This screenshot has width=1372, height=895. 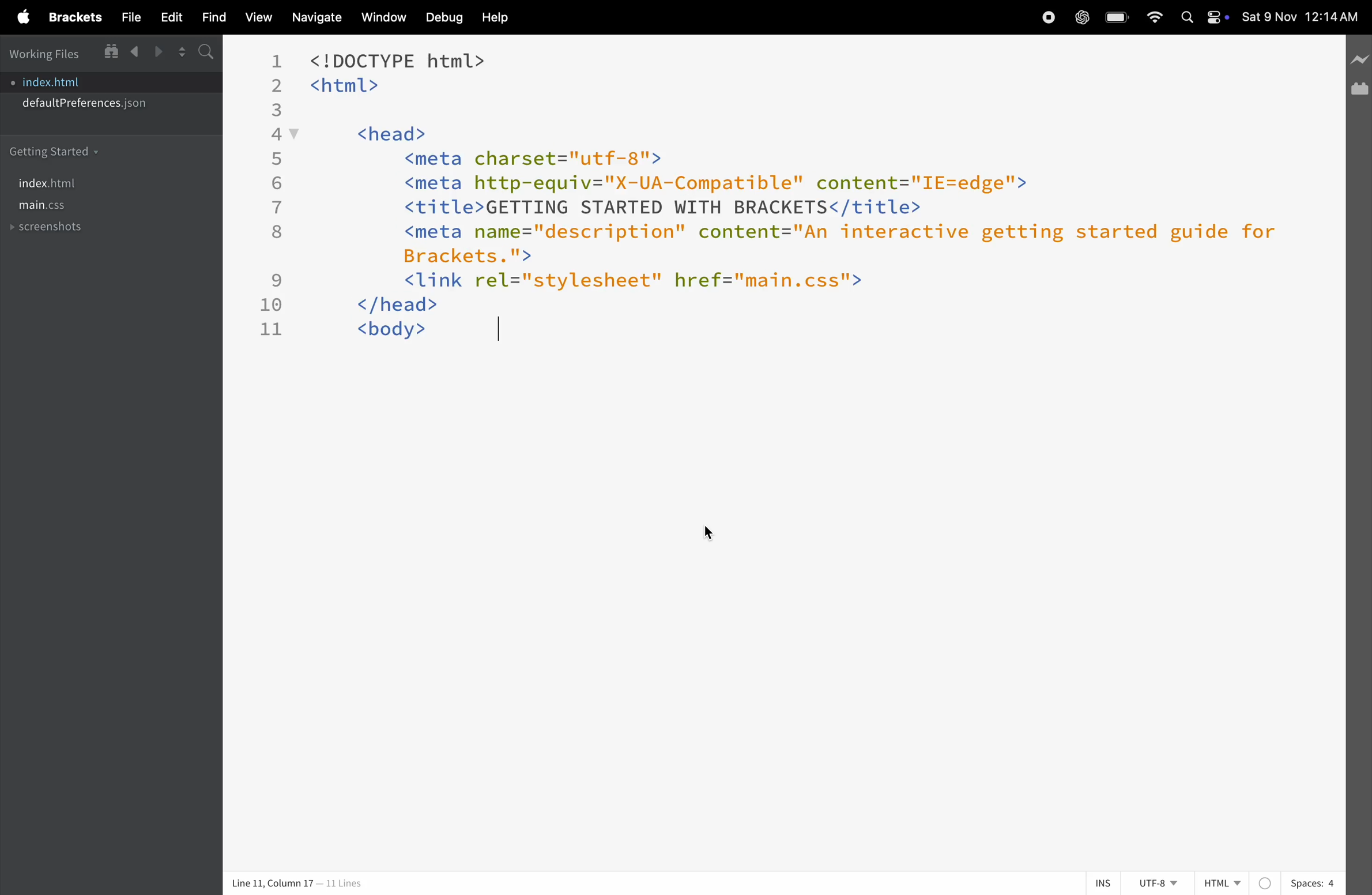 What do you see at coordinates (1160, 883) in the screenshot?
I see `utf 8` at bounding box center [1160, 883].